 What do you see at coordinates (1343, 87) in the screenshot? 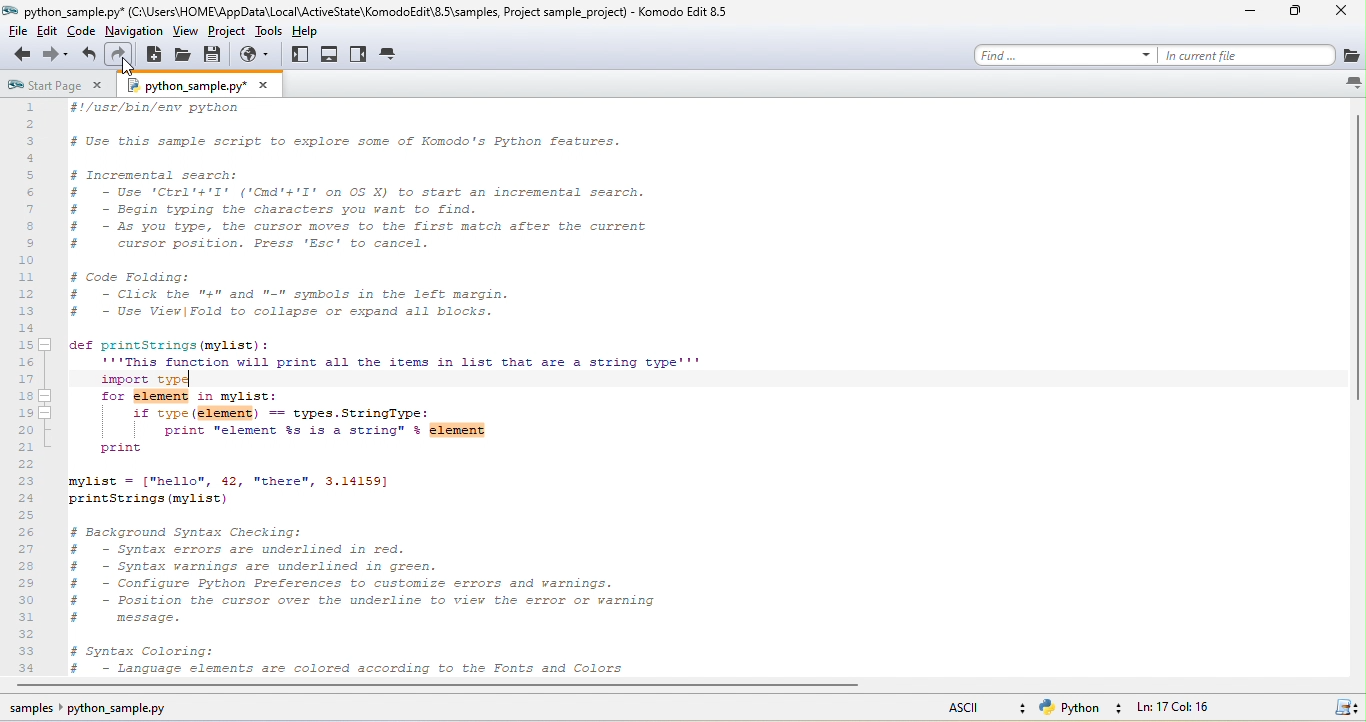
I see `list all tabs` at bounding box center [1343, 87].